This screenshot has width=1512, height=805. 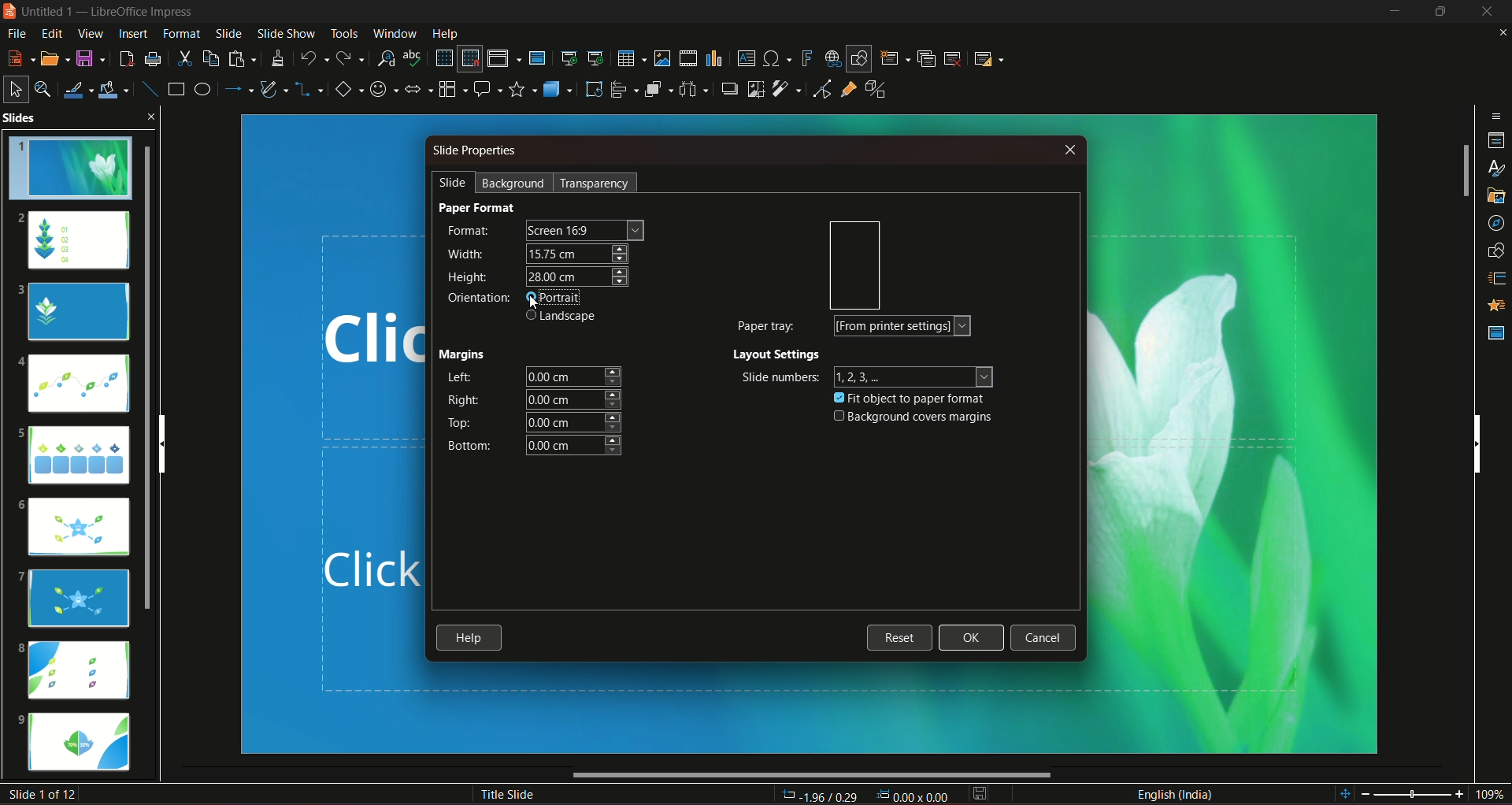 I want to click on callout shapes, so click(x=488, y=88).